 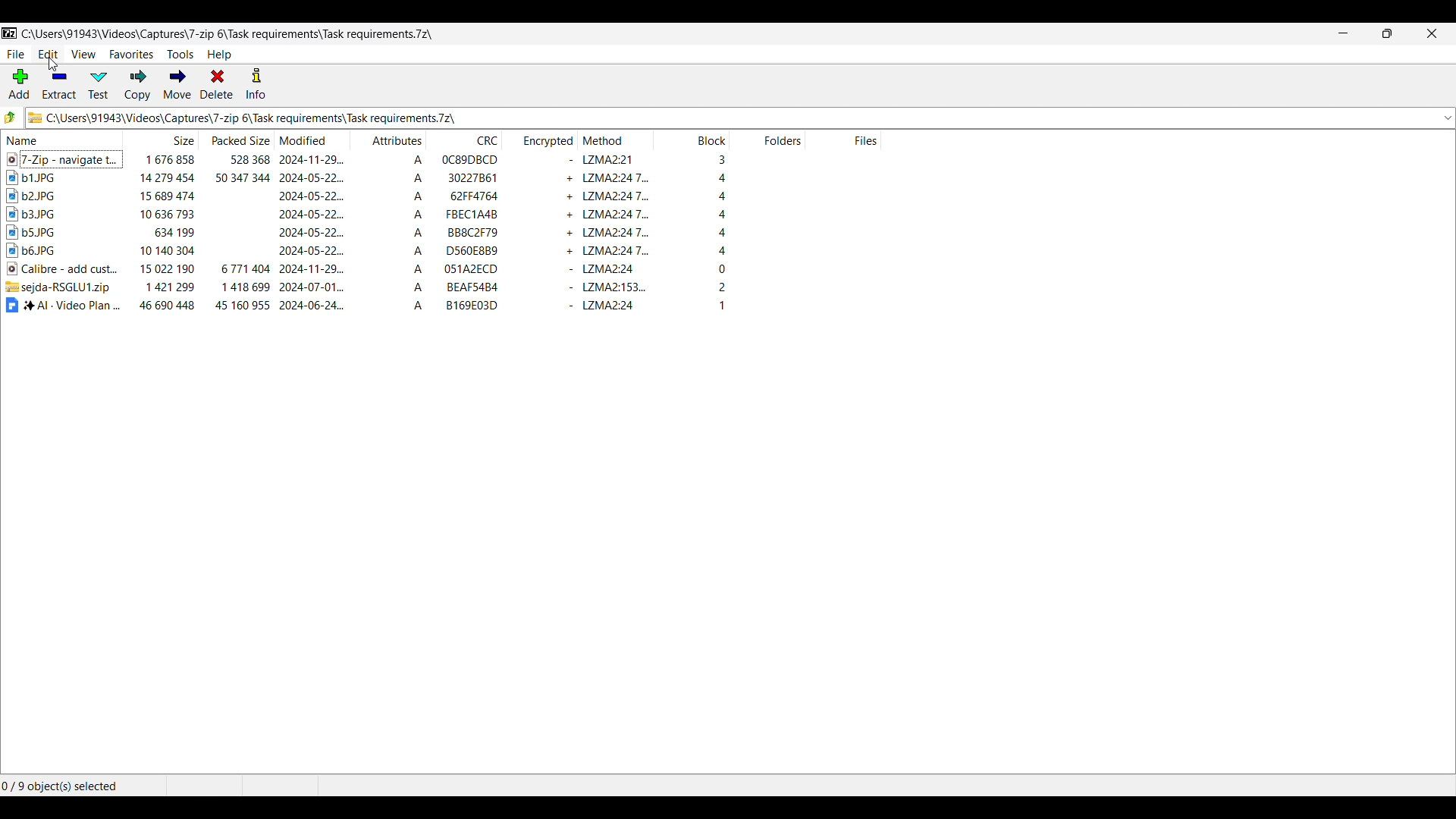 What do you see at coordinates (1388, 33) in the screenshot?
I see `Show interface in a smaller tab` at bounding box center [1388, 33].